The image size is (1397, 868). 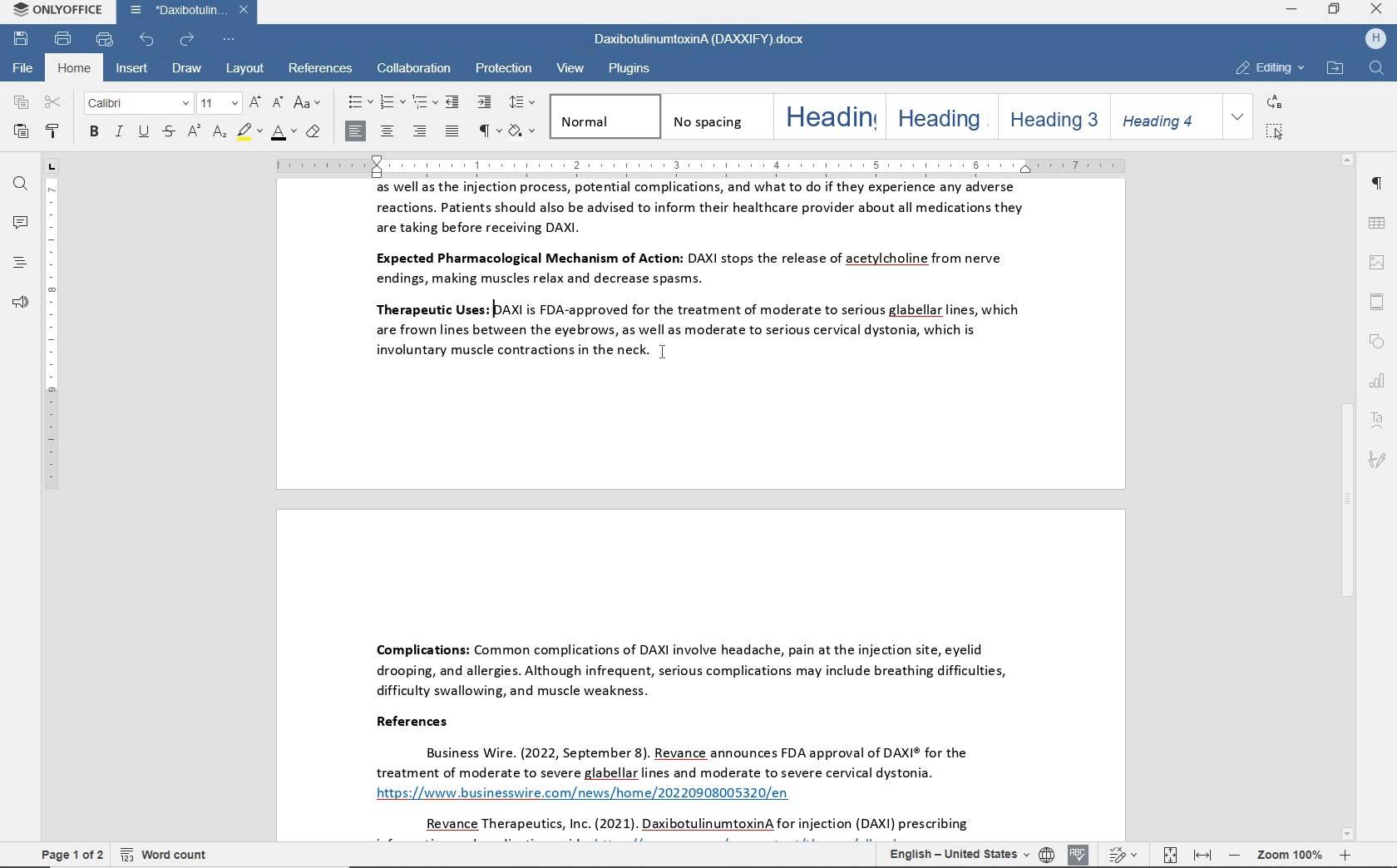 What do you see at coordinates (1379, 422) in the screenshot?
I see `text art` at bounding box center [1379, 422].